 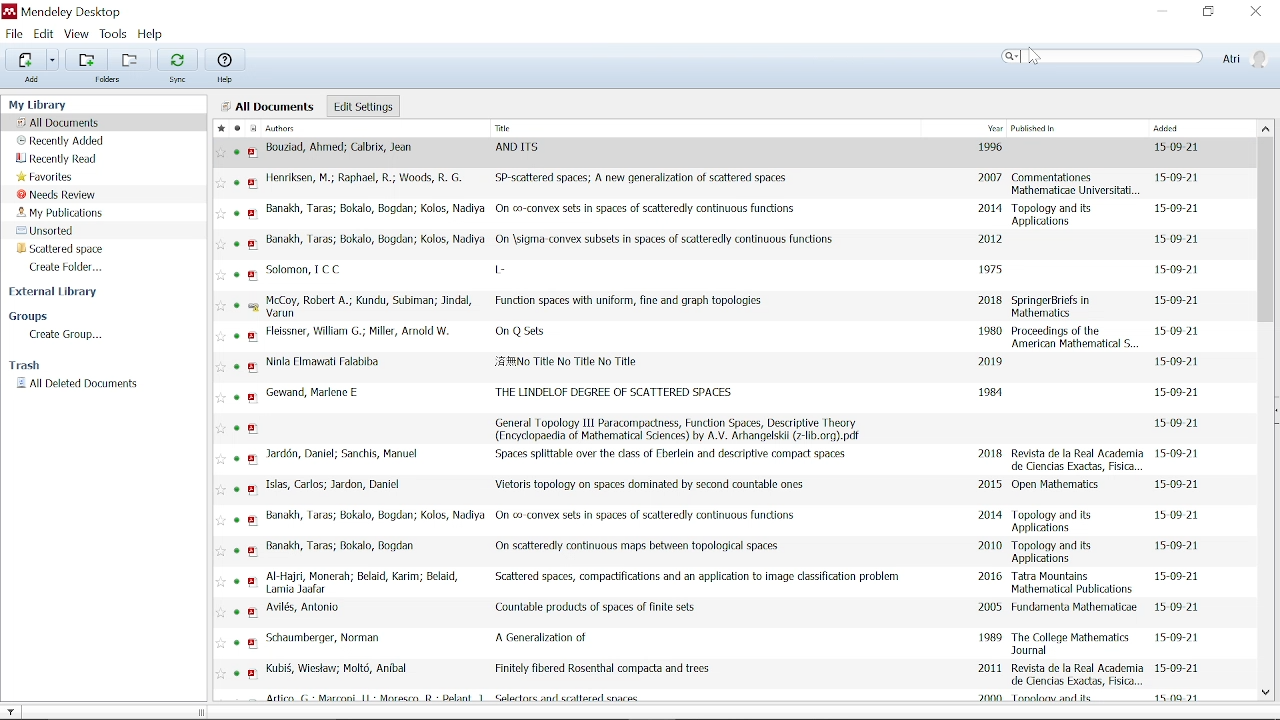 I want to click on Groups, so click(x=60, y=316).